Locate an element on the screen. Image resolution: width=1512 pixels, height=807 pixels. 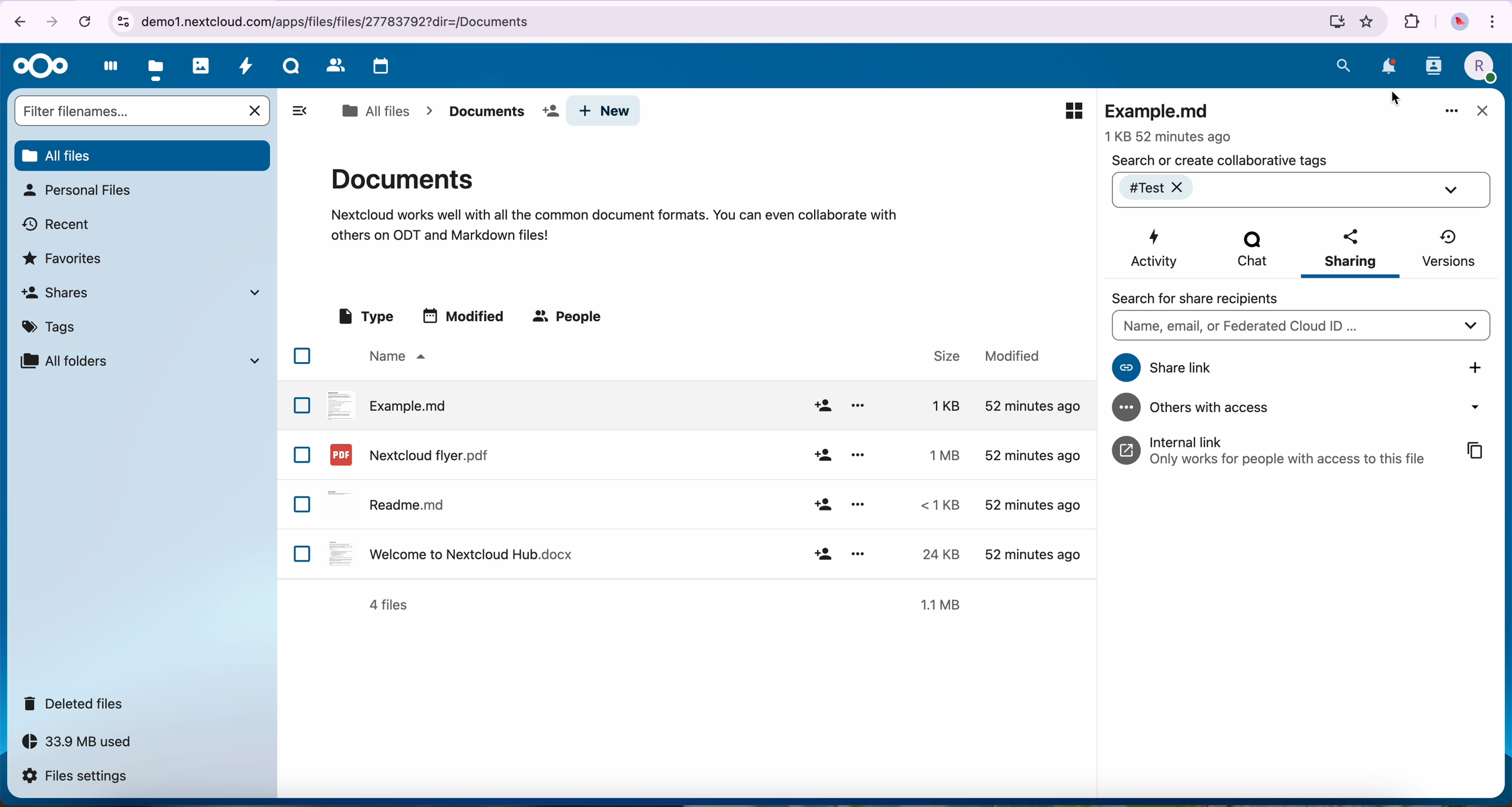
documents is located at coordinates (499, 112).